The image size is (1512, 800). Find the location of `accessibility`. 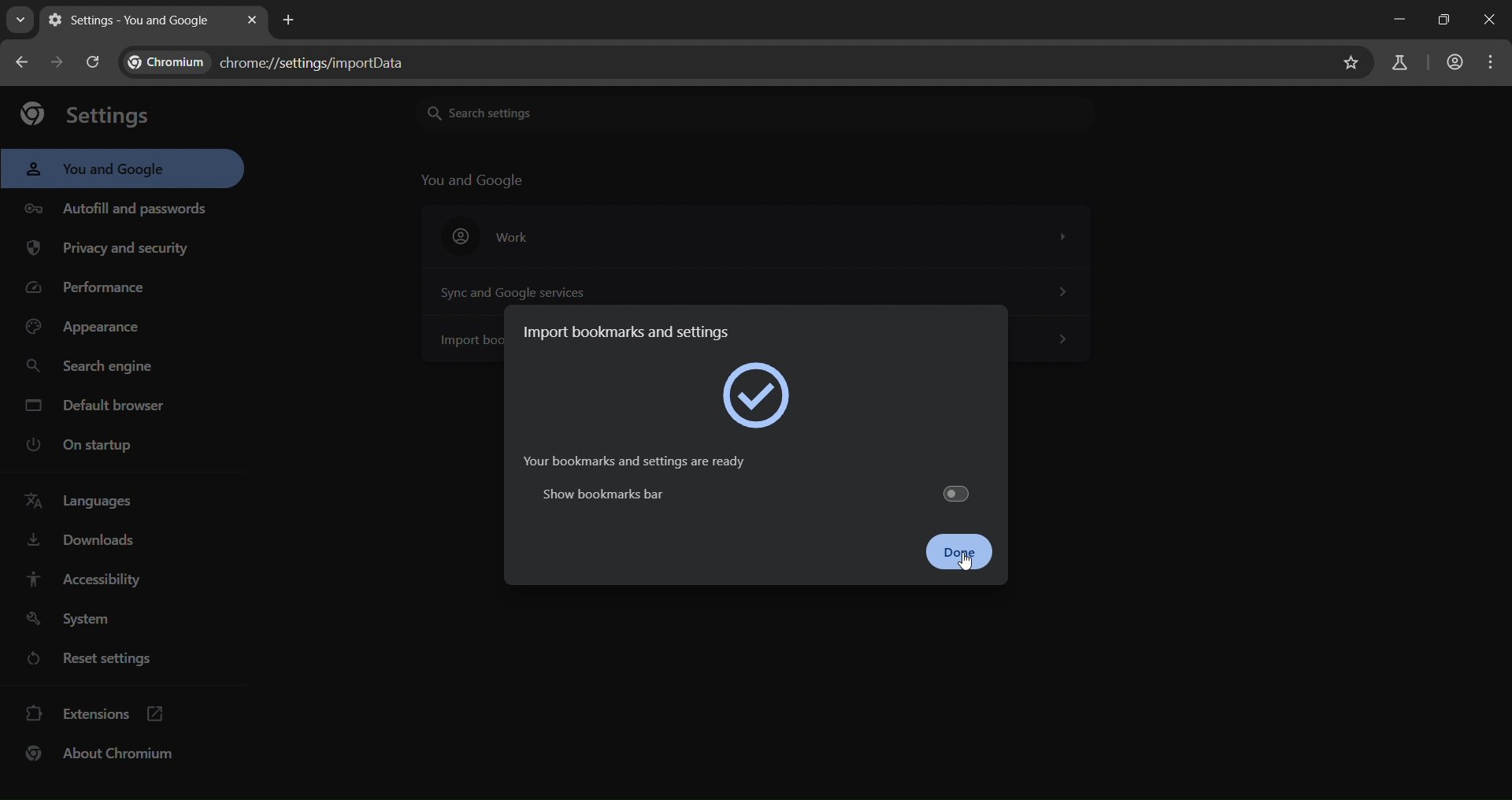

accessibility is located at coordinates (91, 580).